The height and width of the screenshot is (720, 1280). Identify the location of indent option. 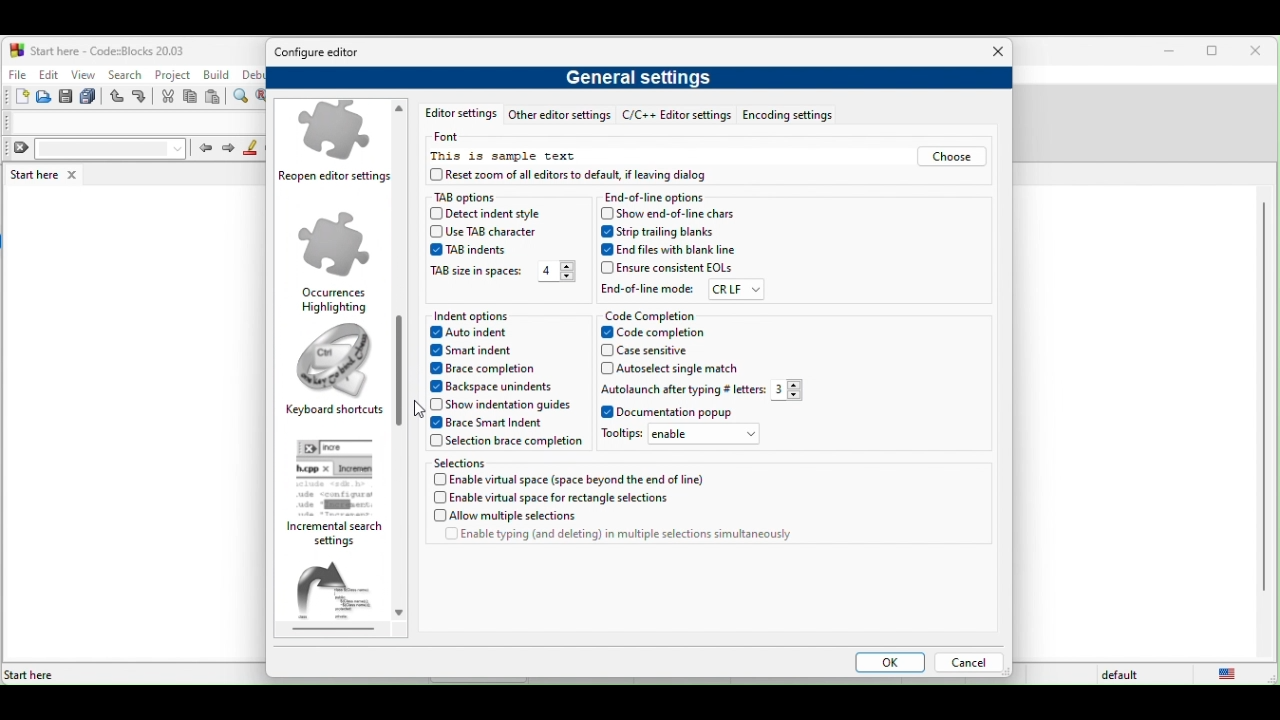
(499, 316).